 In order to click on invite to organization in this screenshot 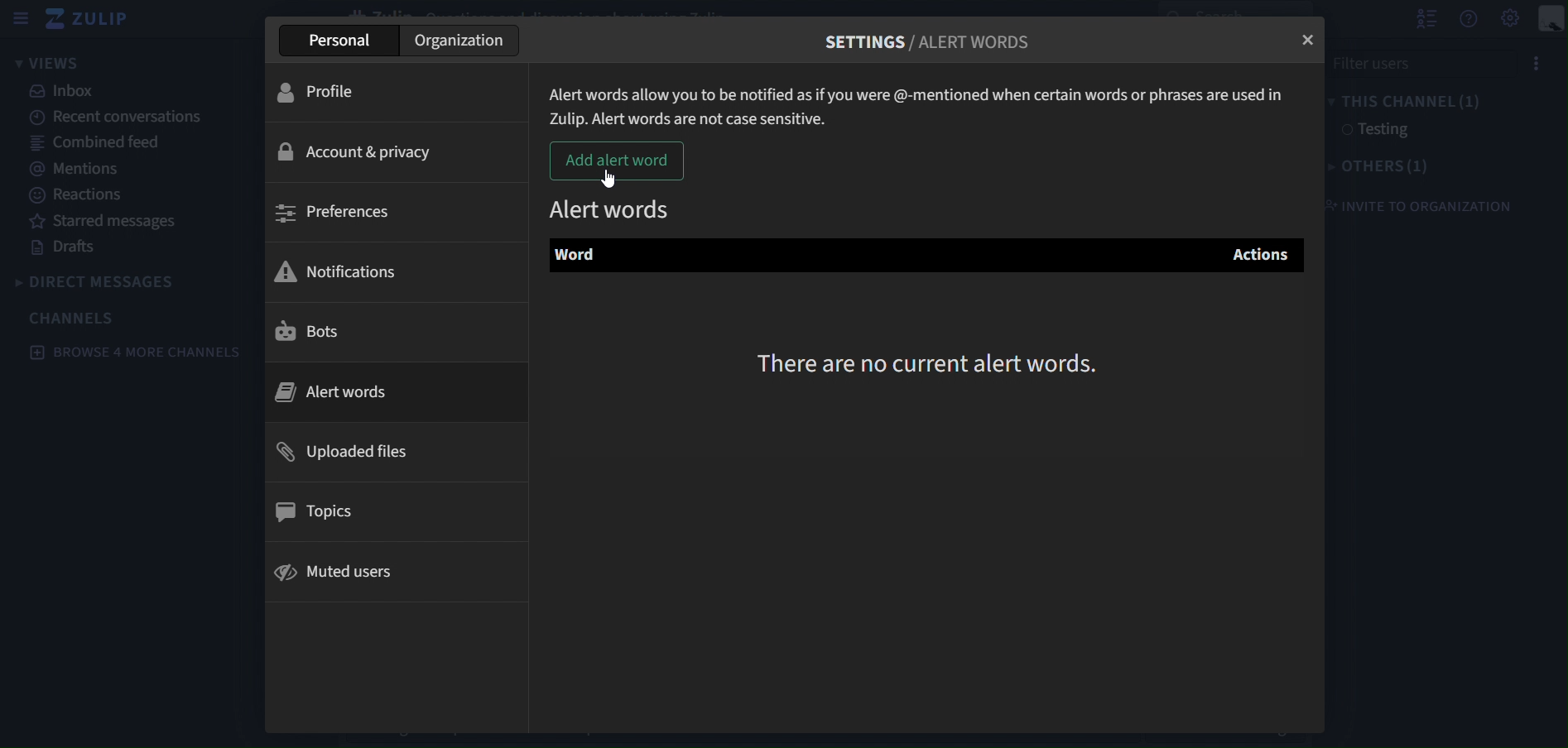, I will do `click(1416, 207)`.